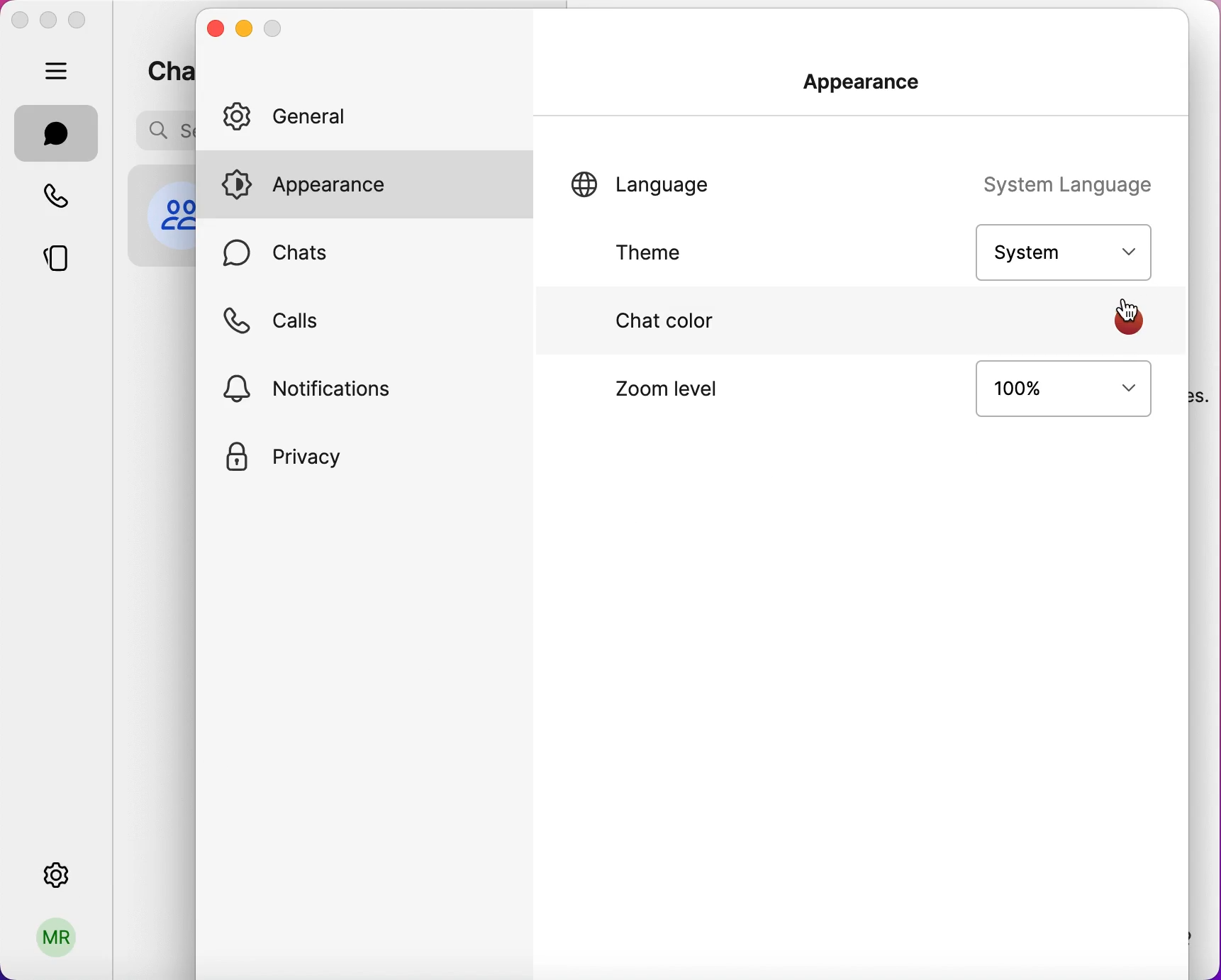 The height and width of the screenshot is (980, 1221). I want to click on hide bar, so click(60, 72).